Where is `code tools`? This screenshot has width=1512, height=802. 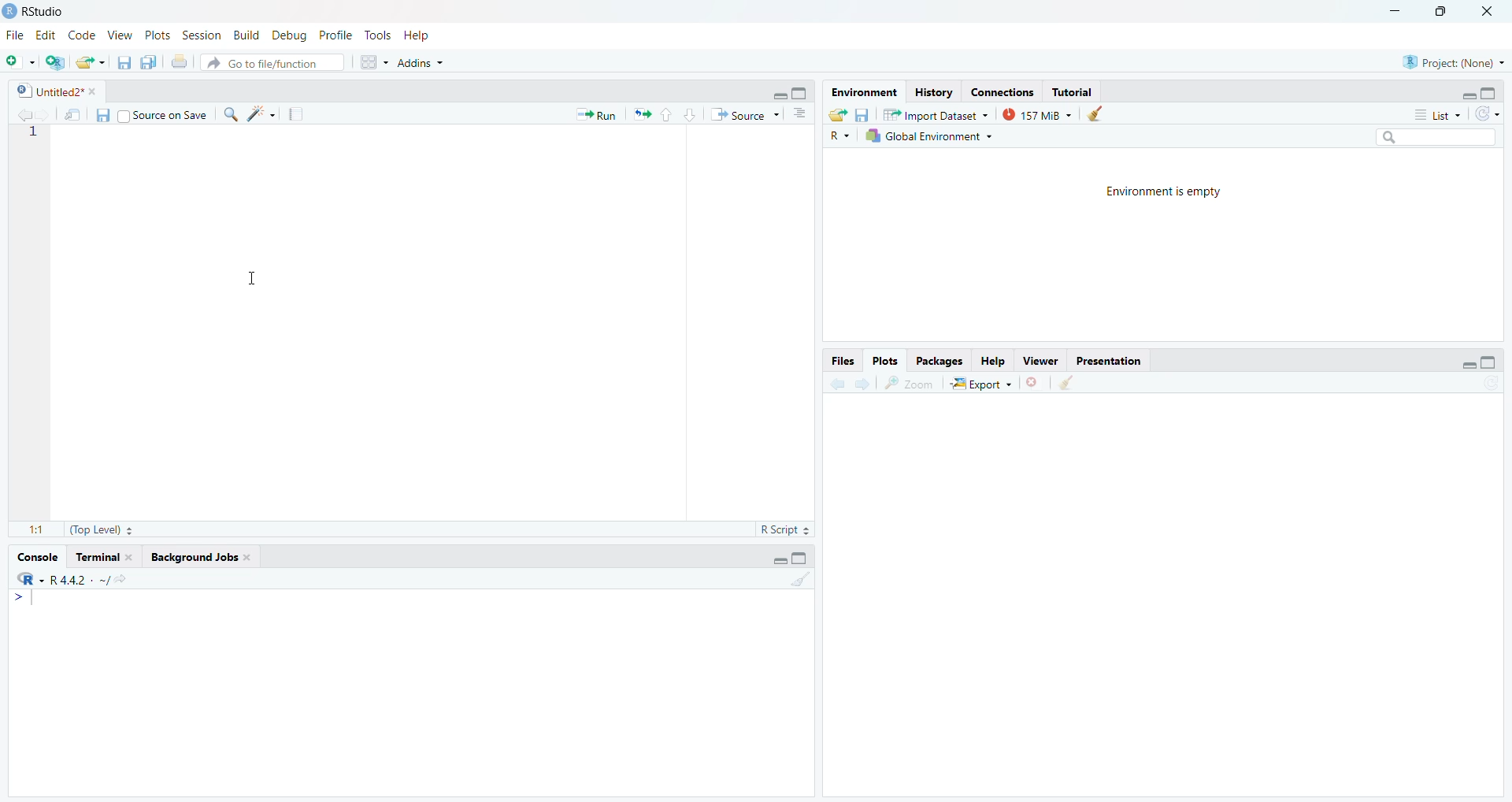 code tools is located at coordinates (261, 113).